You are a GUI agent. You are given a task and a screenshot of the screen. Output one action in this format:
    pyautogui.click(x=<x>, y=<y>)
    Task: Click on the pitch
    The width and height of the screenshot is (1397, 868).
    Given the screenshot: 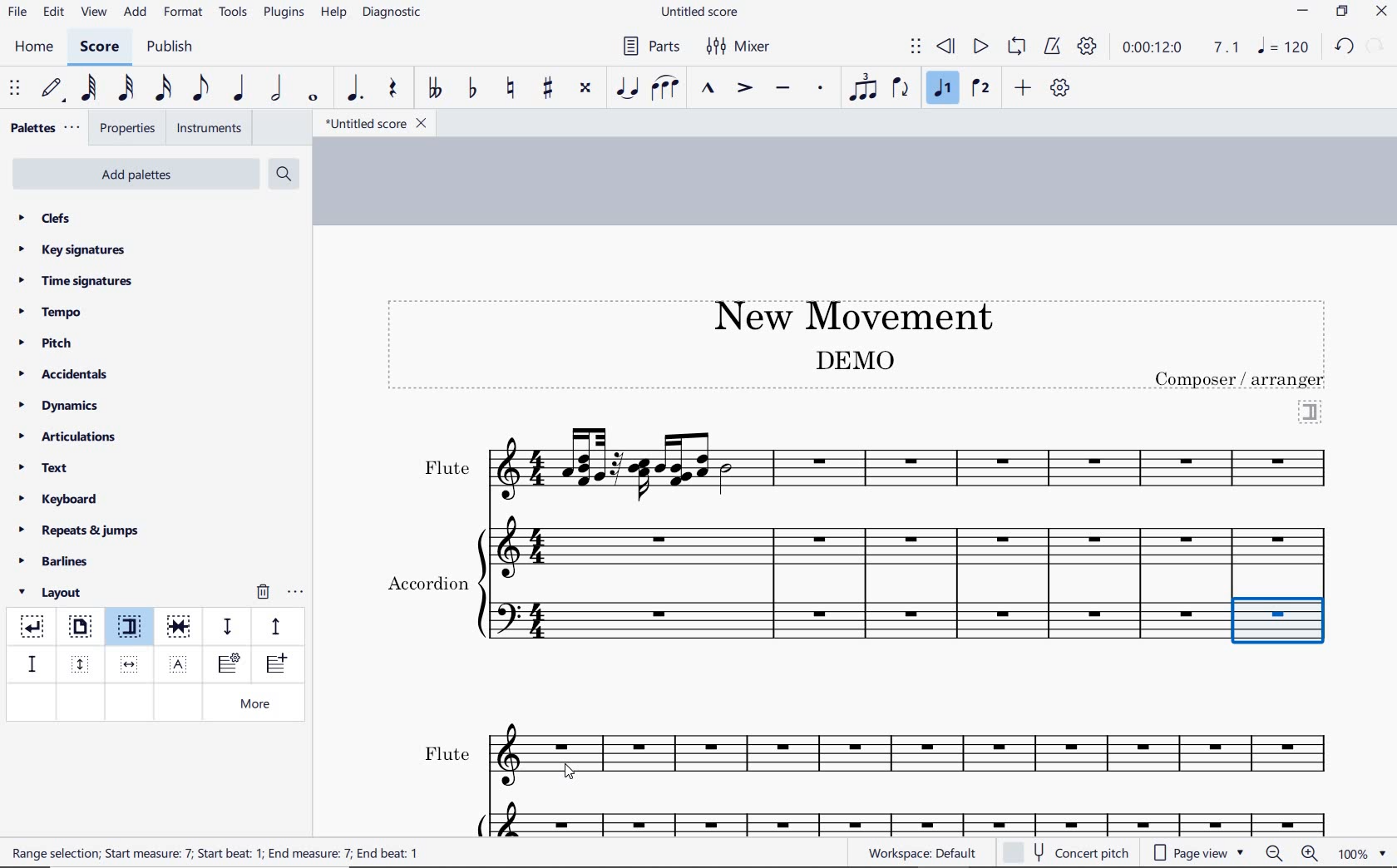 What is the action you would take?
    pyautogui.click(x=52, y=343)
    